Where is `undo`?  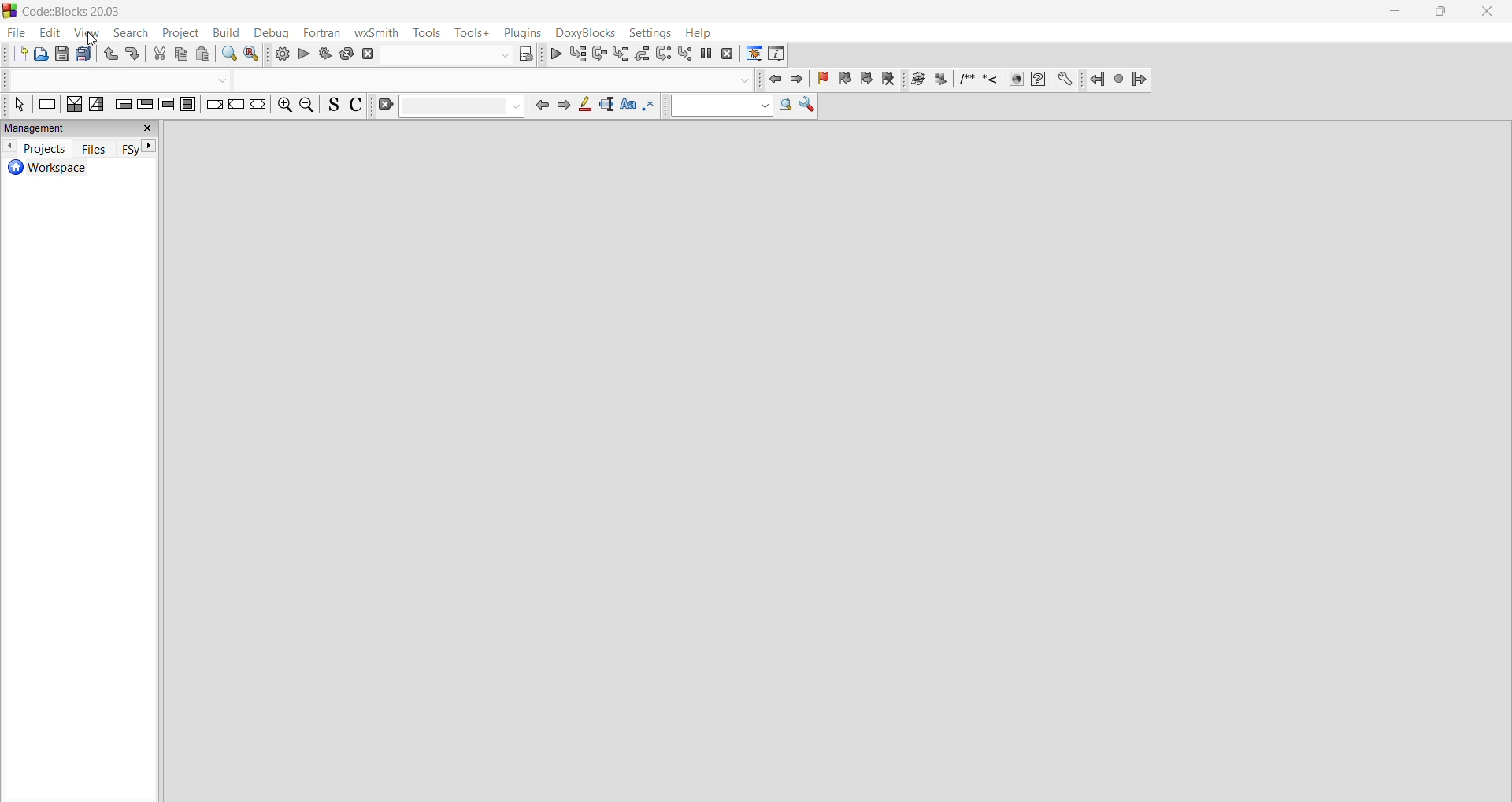
undo is located at coordinates (107, 56).